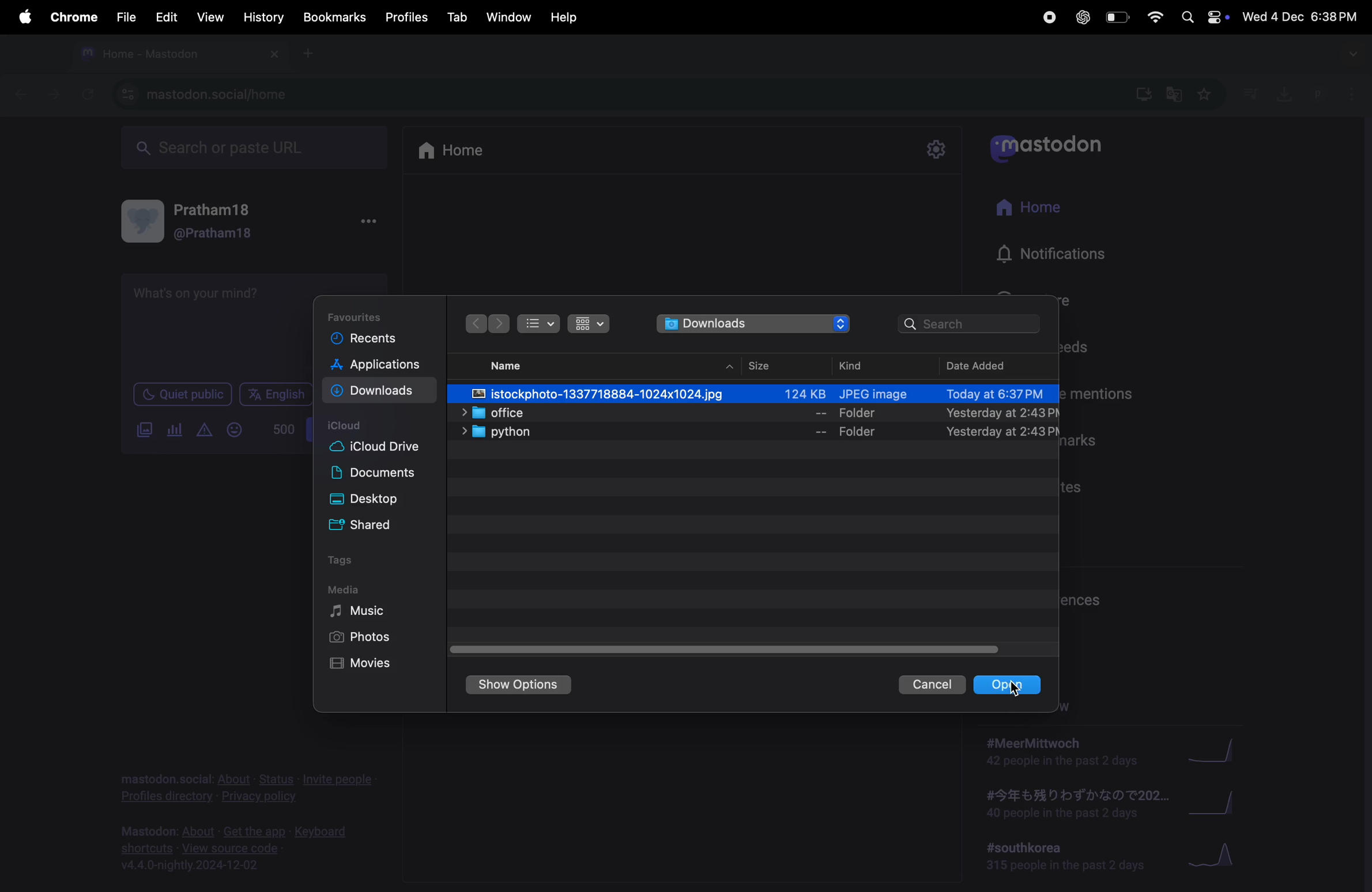 The height and width of the screenshot is (892, 1372). What do you see at coordinates (182, 395) in the screenshot?
I see `Quiet place` at bounding box center [182, 395].